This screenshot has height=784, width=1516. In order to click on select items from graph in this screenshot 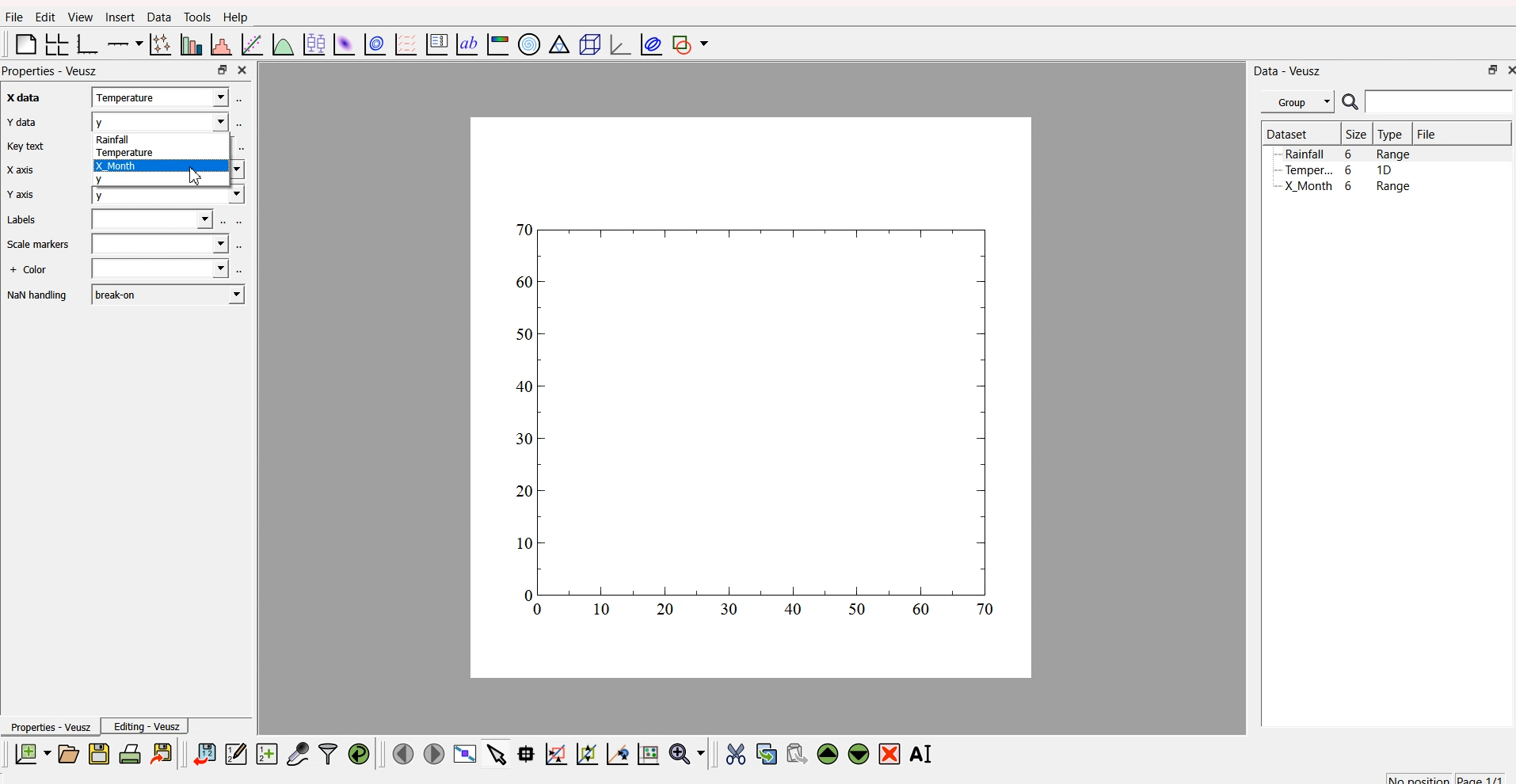, I will do `click(495, 755)`.